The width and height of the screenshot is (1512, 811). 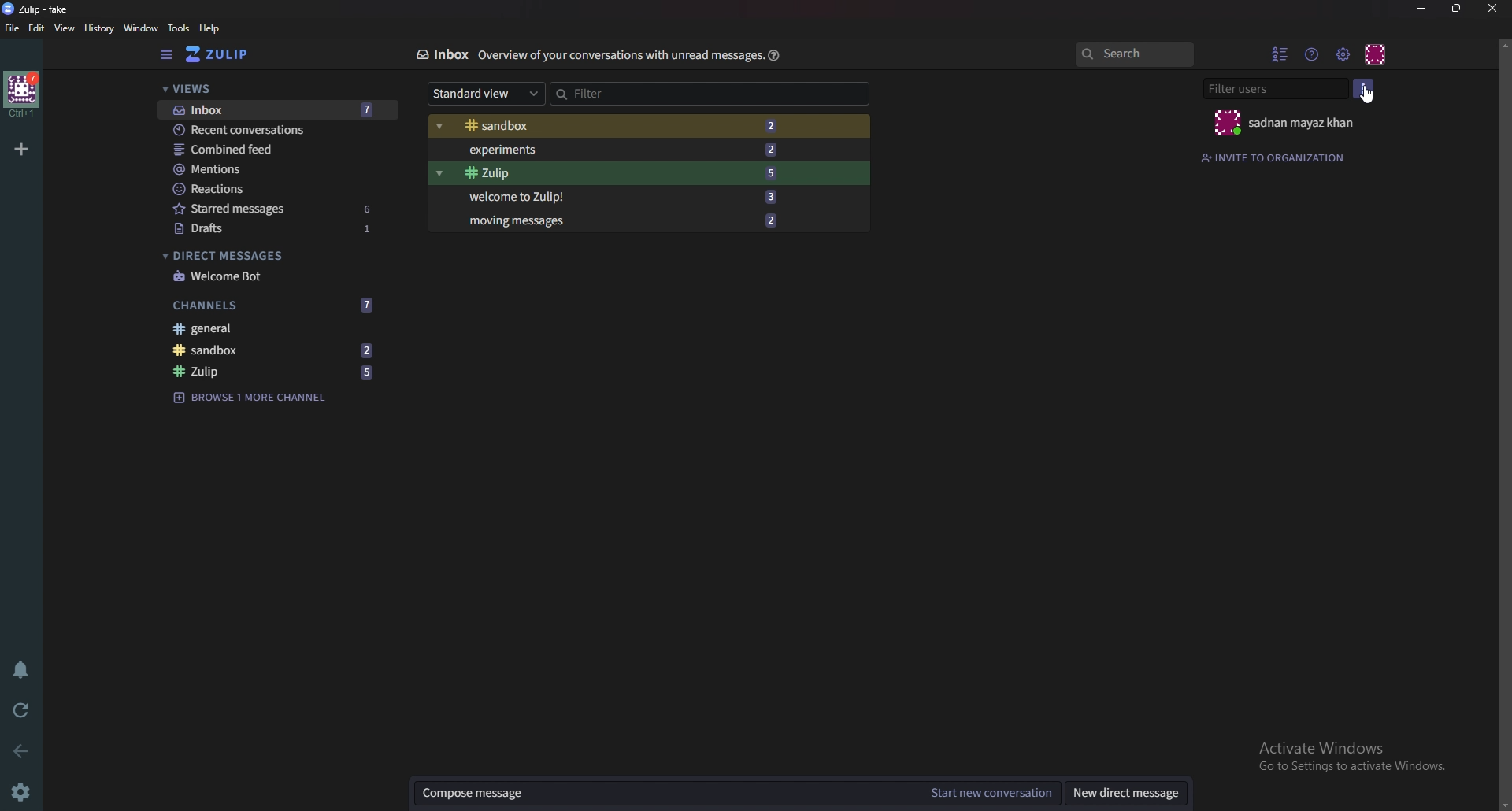 What do you see at coordinates (278, 130) in the screenshot?
I see `Recent conversations` at bounding box center [278, 130].